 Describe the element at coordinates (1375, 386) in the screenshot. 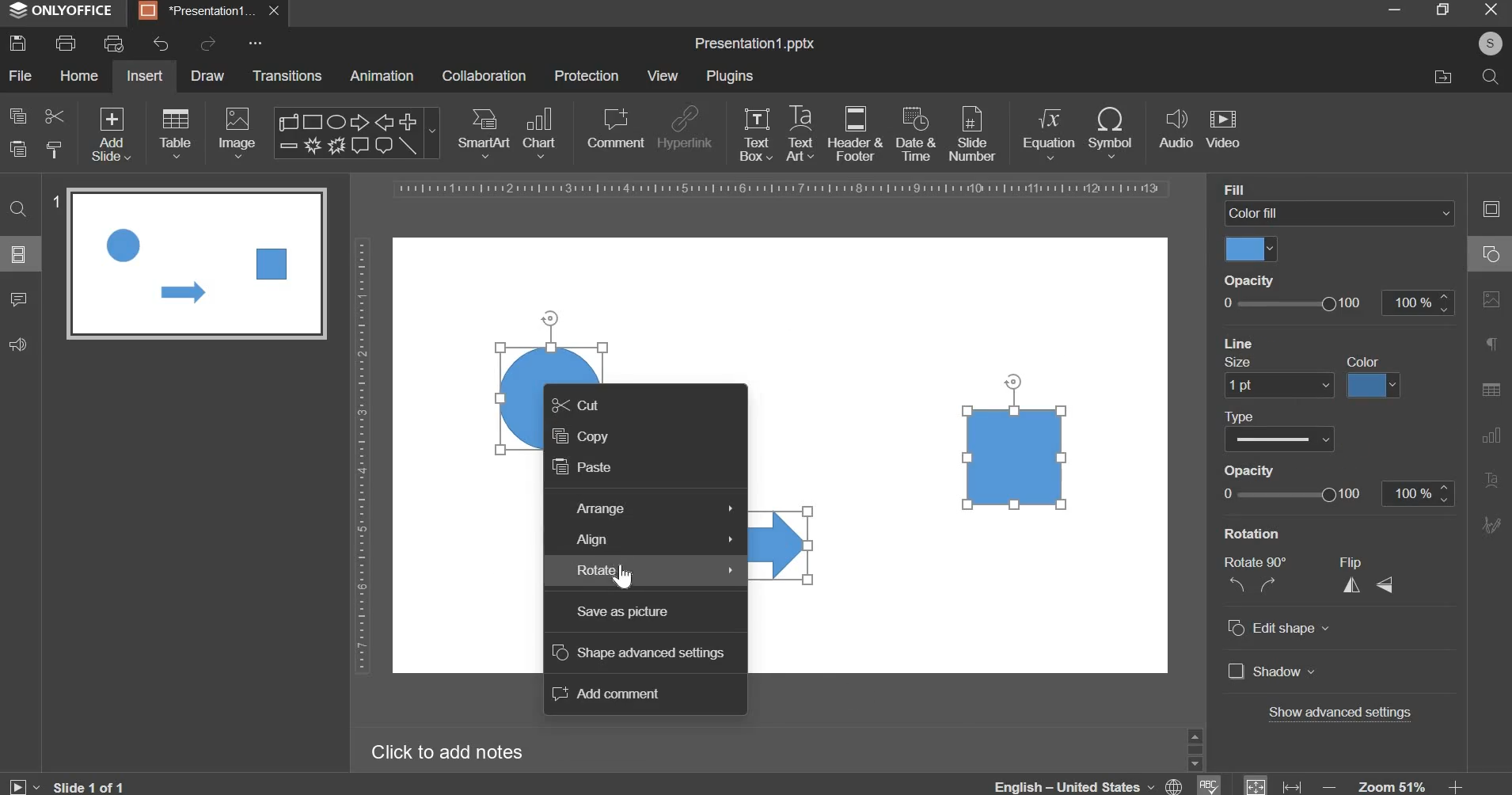

I see `line color` at that location.